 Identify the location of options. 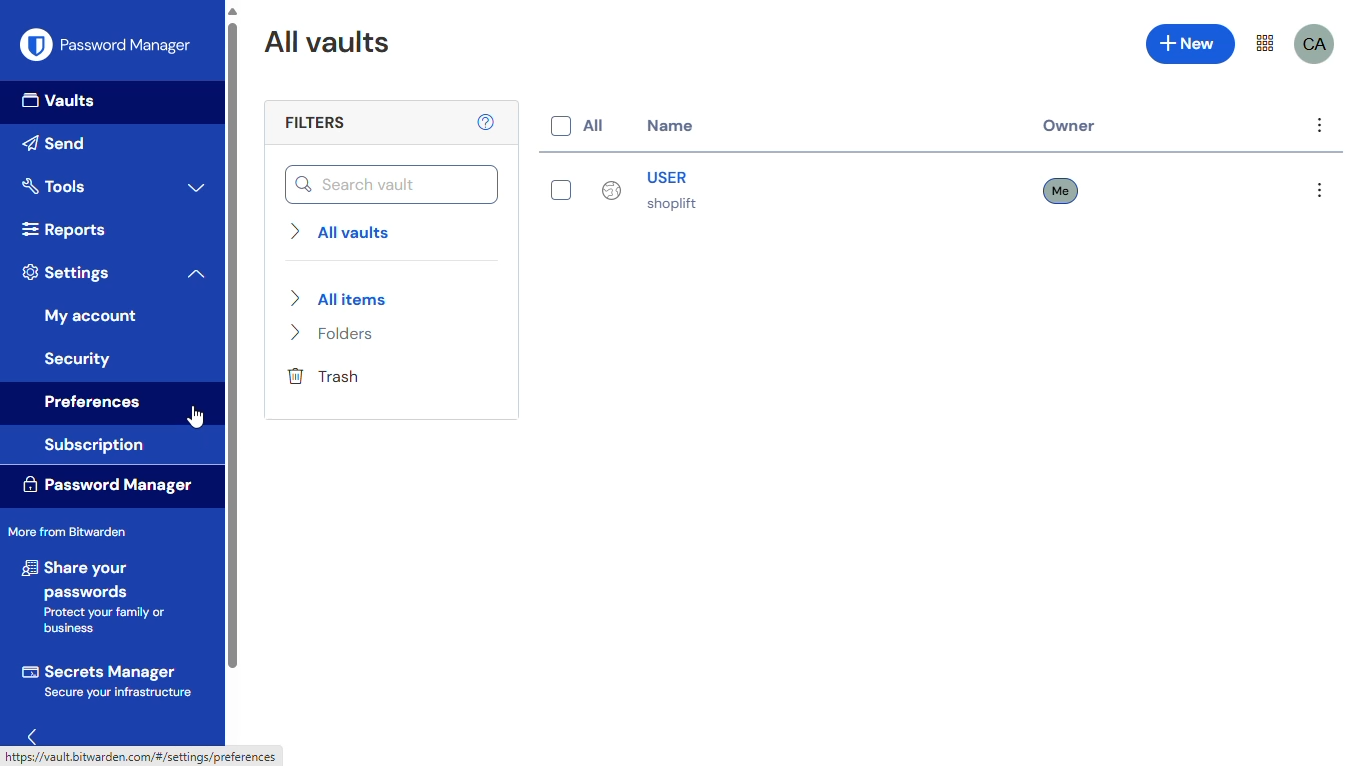
(1320, 125).